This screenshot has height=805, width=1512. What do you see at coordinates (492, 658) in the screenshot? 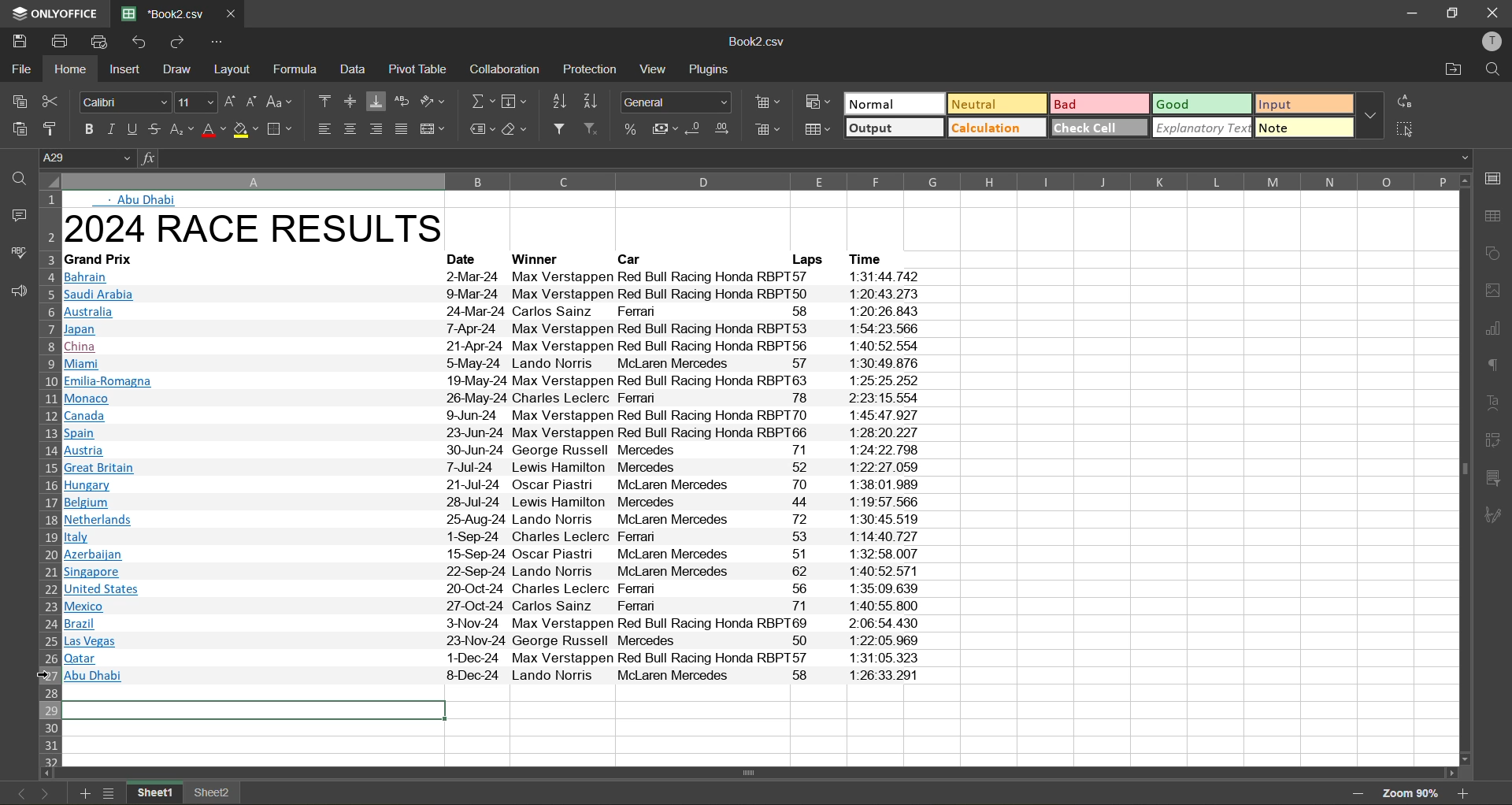
I see `` at bounding box center [492, 658].